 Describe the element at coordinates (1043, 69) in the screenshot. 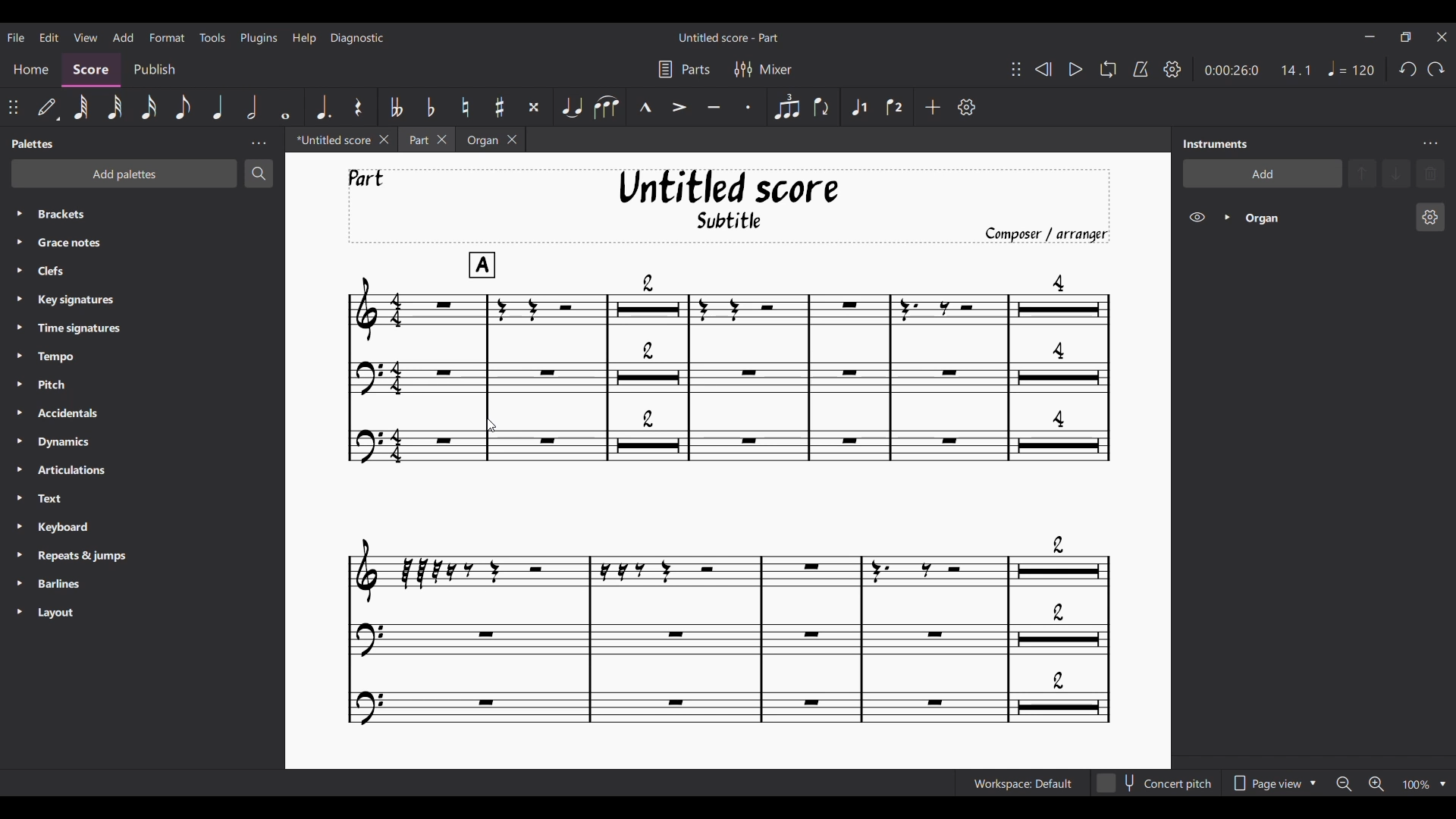

I see `Rewind` at that location.